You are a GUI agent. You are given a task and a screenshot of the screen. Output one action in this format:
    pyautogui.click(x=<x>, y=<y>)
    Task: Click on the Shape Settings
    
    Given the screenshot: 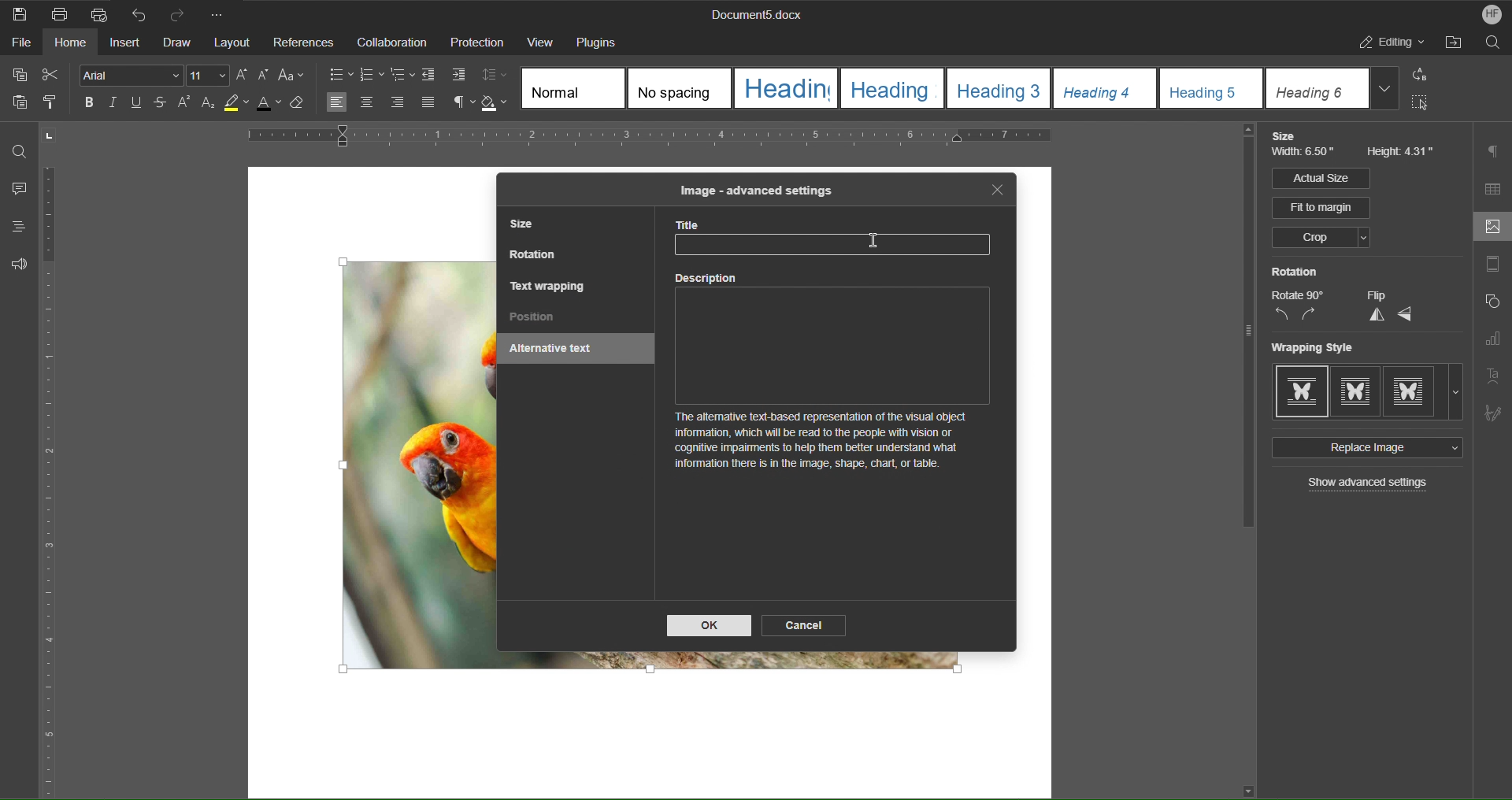 What is the action you would take?
    pyautogui.click(x=1492, y=305)
    